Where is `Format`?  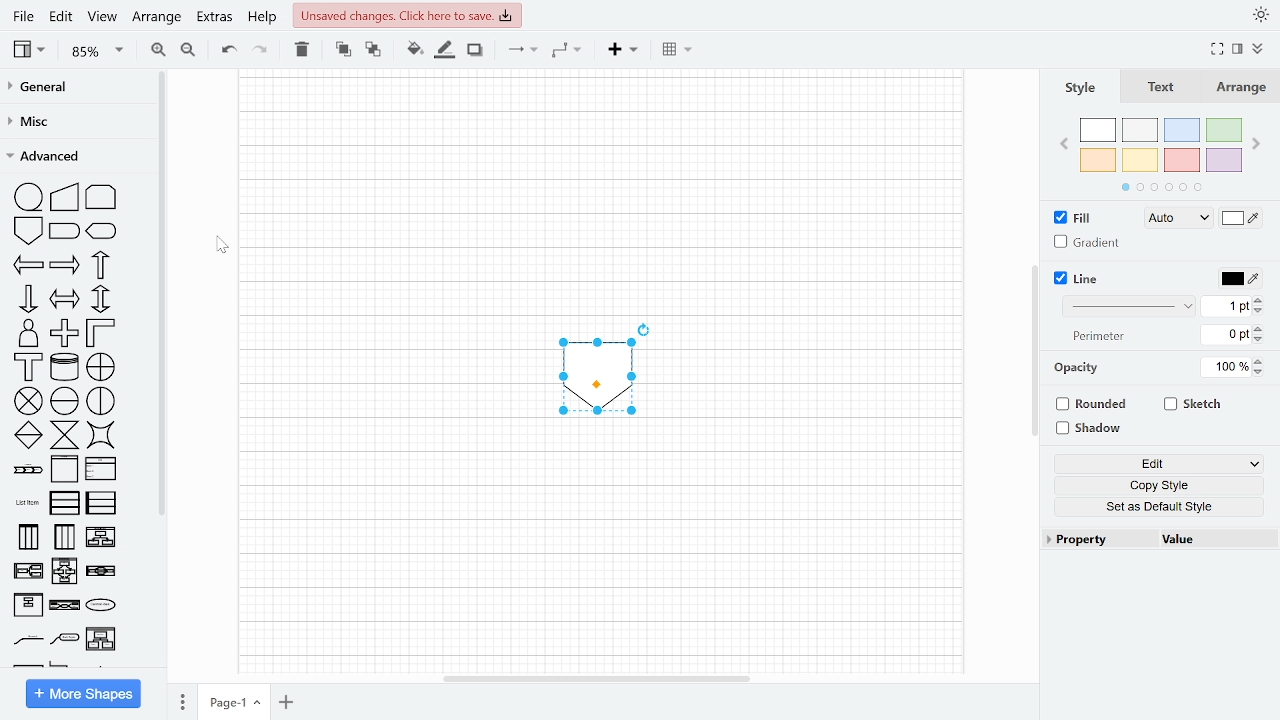 Format is located at coordinates (1241, 51).